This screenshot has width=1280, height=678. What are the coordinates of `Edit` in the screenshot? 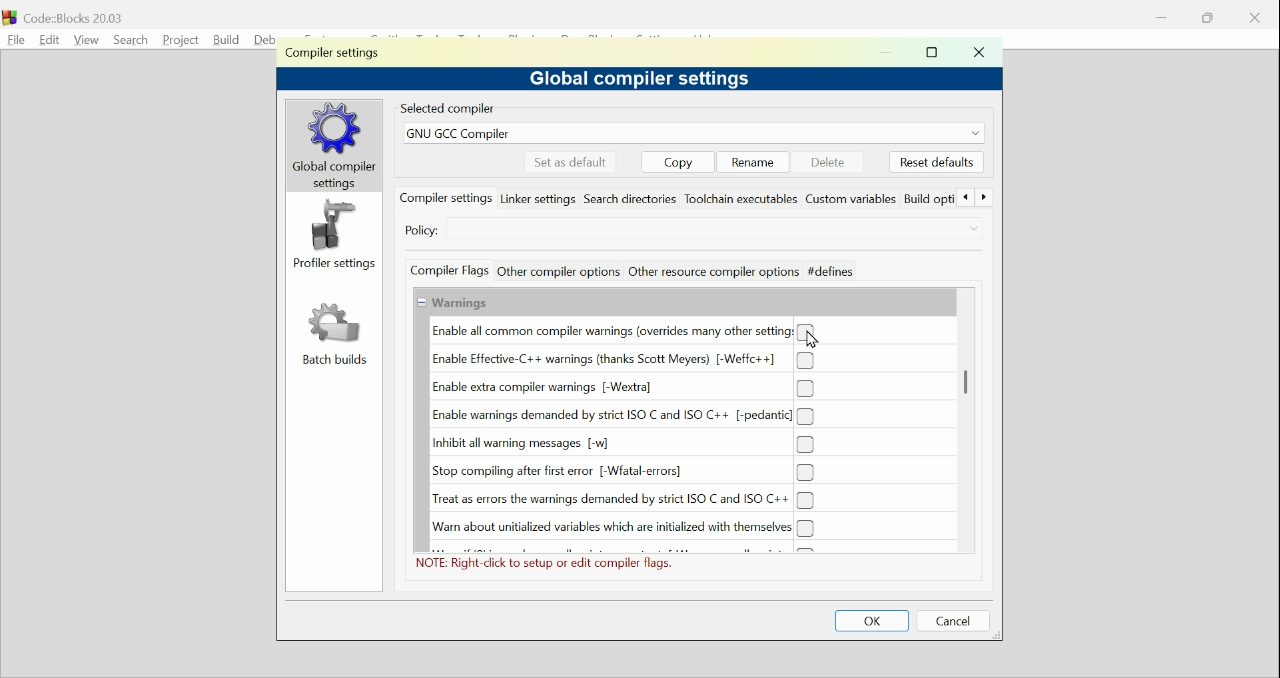 It's located at (46, 38).